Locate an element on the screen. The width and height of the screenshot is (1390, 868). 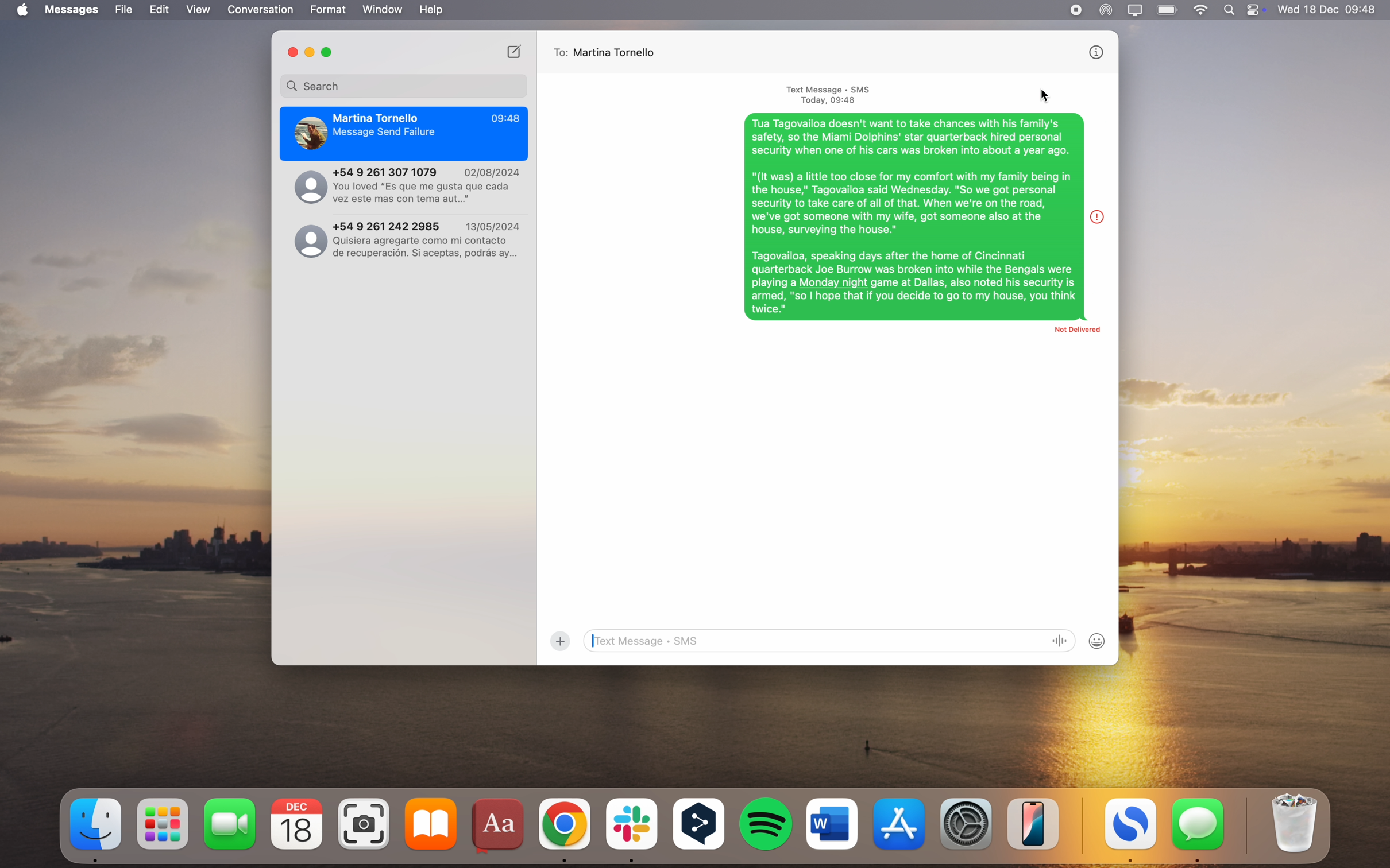
simplenote is located at coordinates (1131, 831).